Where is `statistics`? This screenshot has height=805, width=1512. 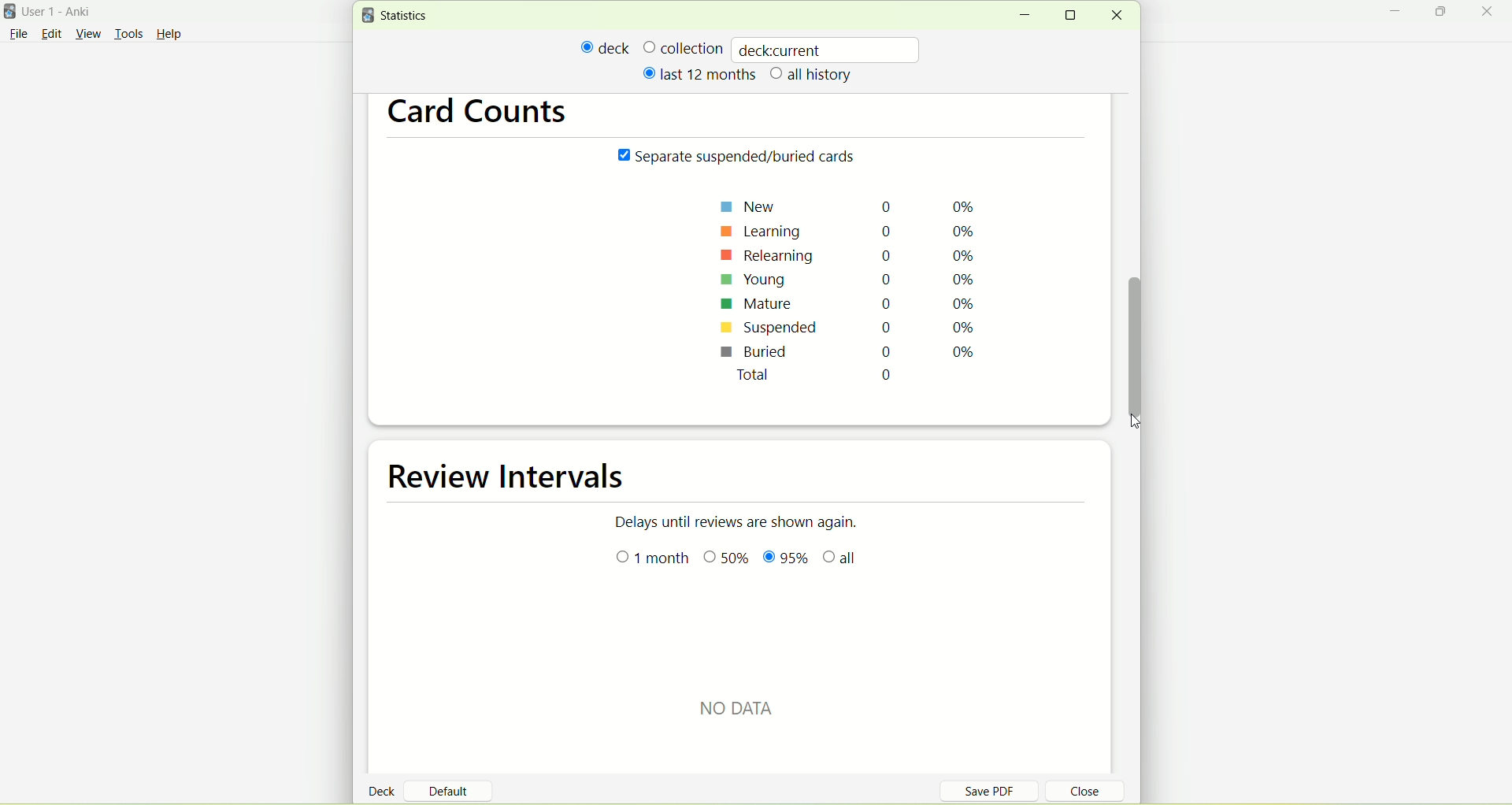 statistics is located at coordinates (398, 16).